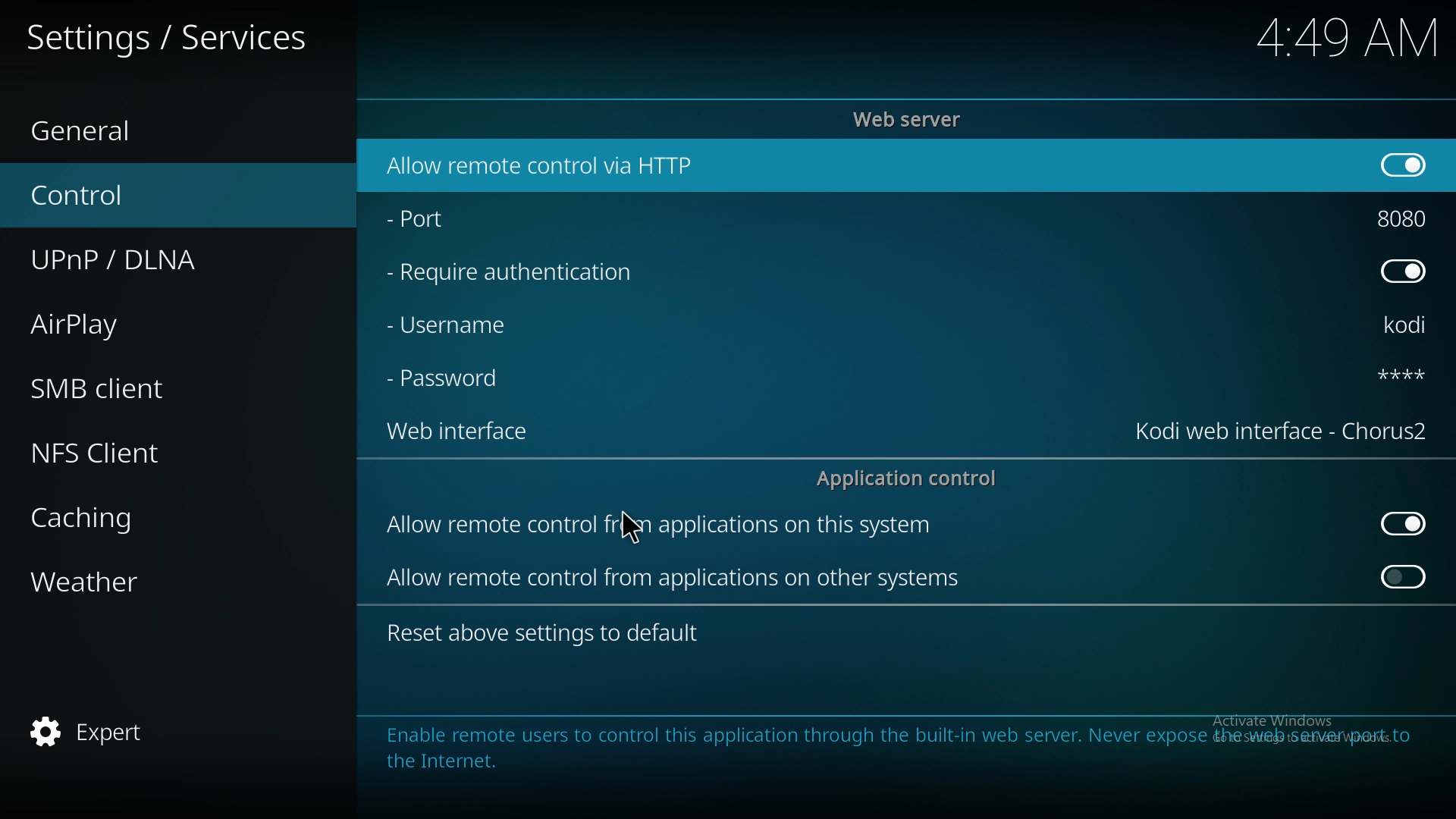 This screenshot has width=1456, height=819. What do you see at coordinates (117, 582) in the screenshot?
I see `weather` at bounding box center [117, 582].